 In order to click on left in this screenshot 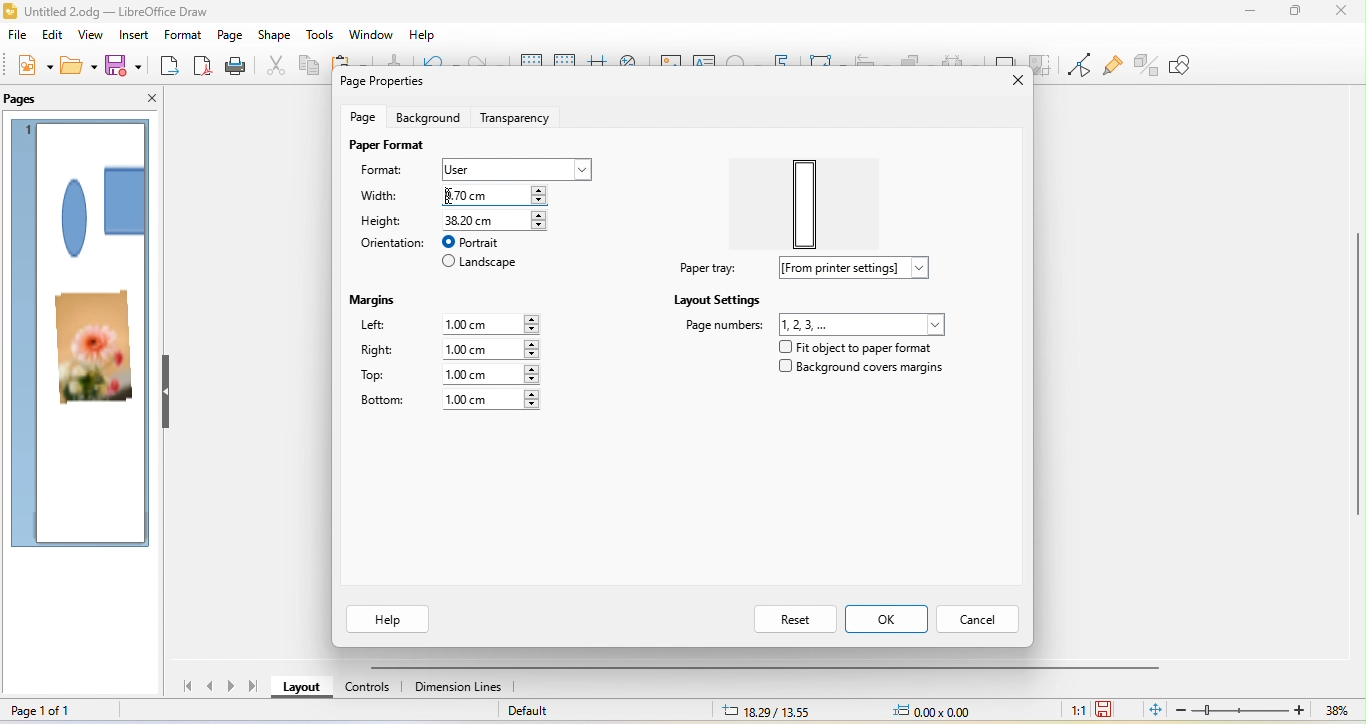, I will do `click(387, 325)`.